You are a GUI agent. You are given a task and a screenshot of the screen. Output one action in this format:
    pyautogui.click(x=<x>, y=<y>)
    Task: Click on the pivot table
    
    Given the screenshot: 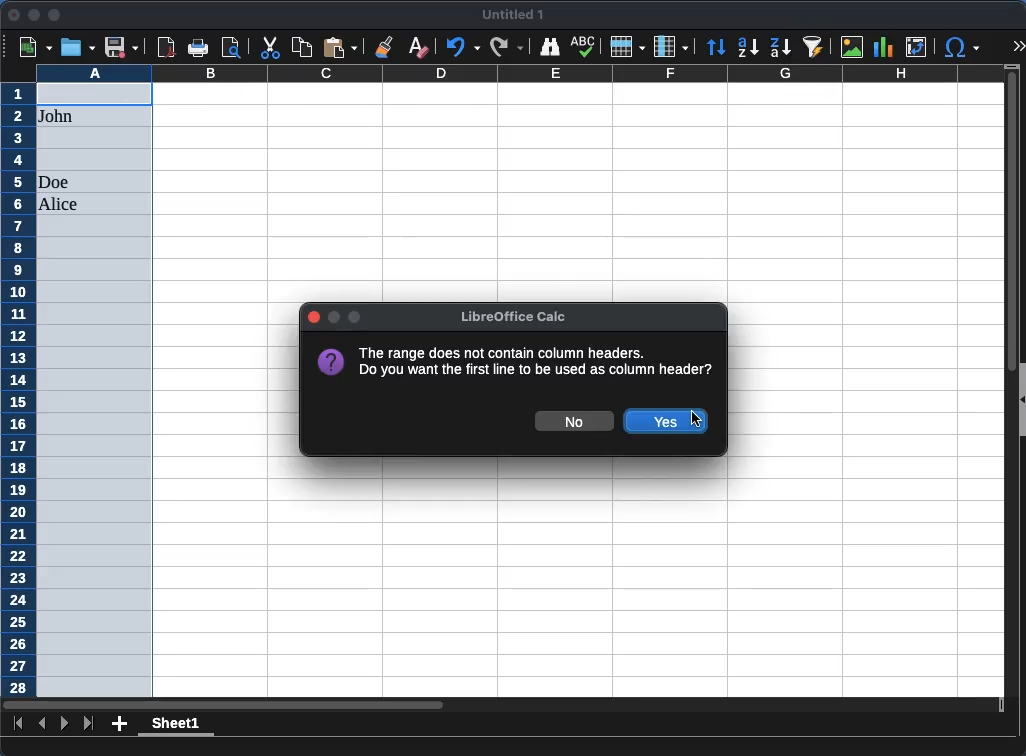 What is the action you would take?
    pyautogui.click(x=918, y=47)
    